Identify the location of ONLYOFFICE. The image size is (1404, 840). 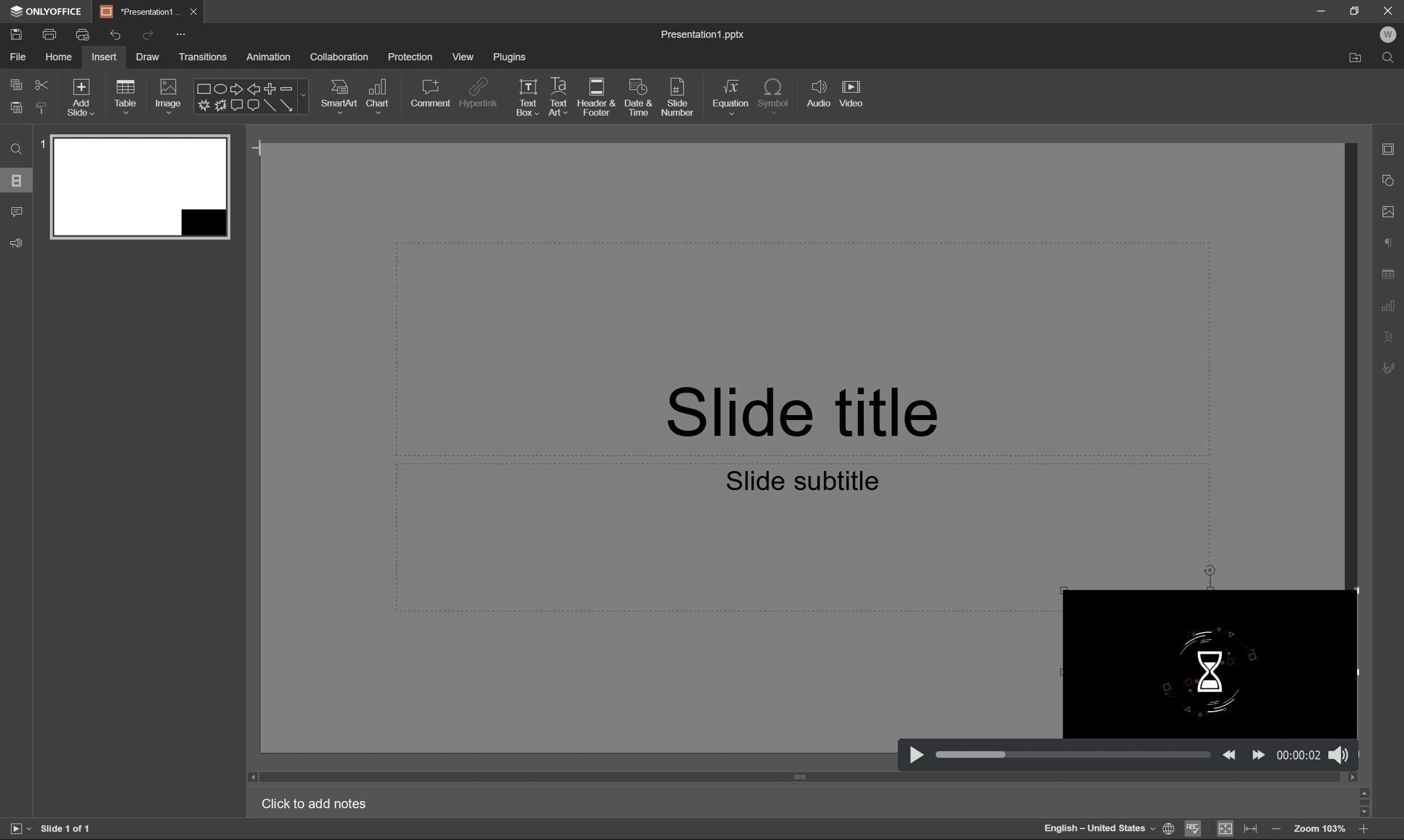
(48, 13).